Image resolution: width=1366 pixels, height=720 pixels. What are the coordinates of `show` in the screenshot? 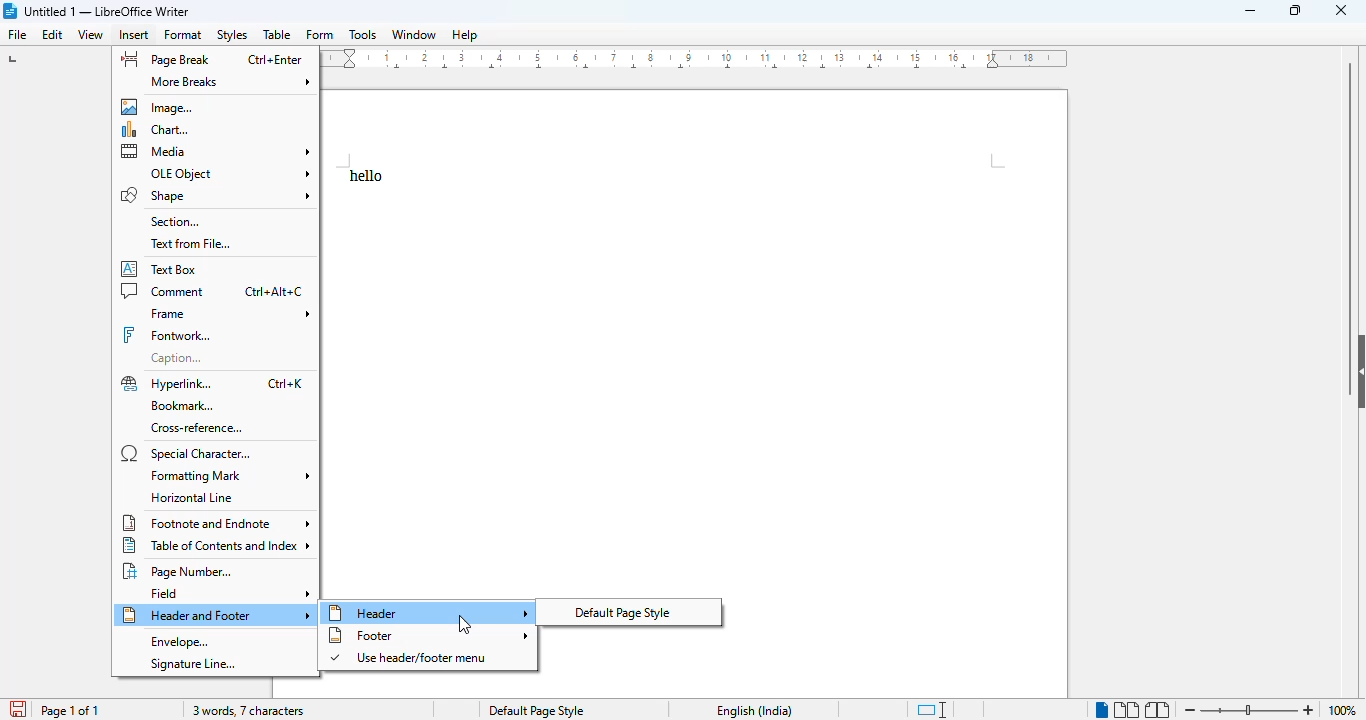 It's located at (1357, 371).